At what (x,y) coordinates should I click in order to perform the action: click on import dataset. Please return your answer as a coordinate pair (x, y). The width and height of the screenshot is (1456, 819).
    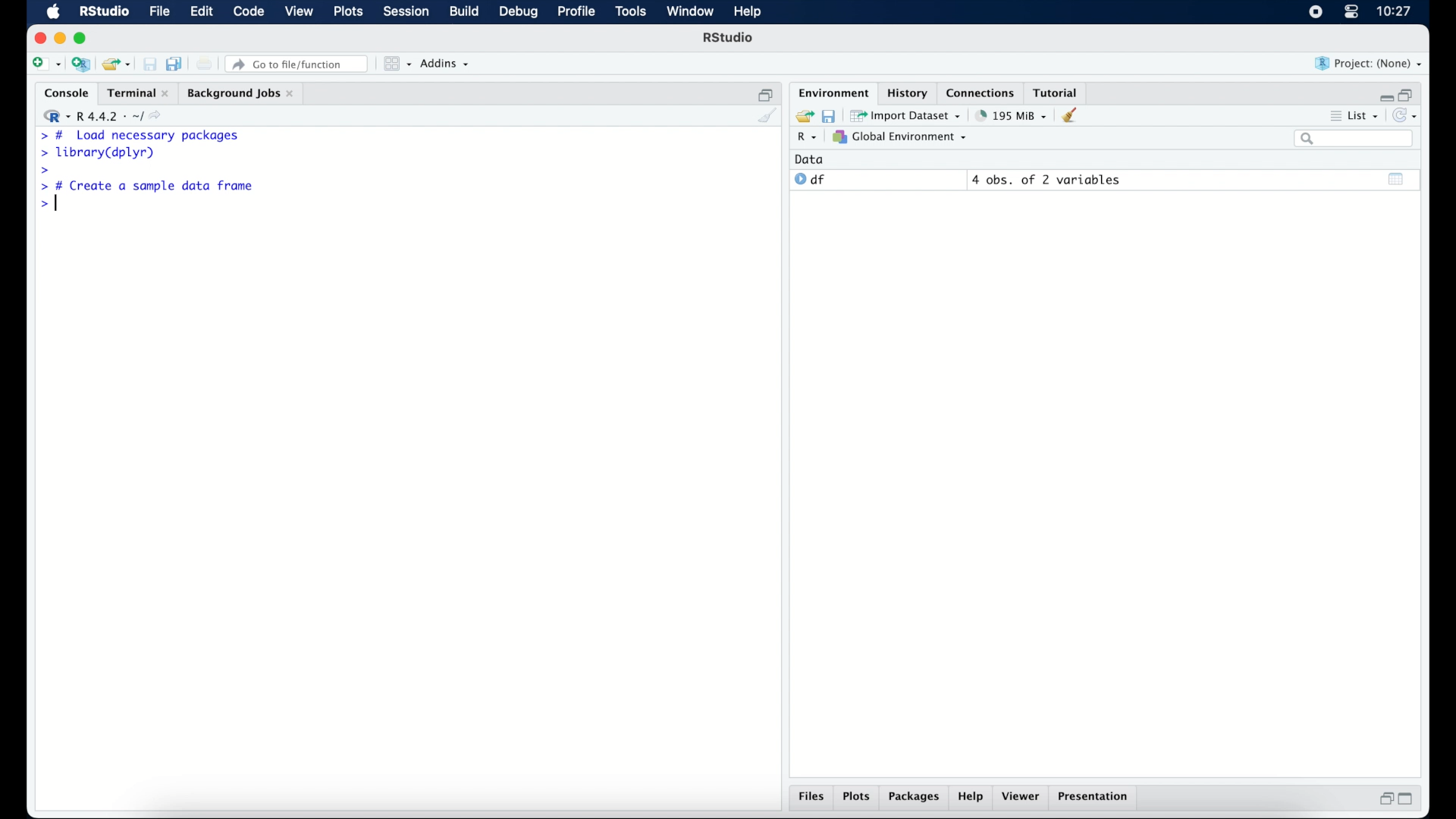
    Looking at the image, I should click on (907, 115).